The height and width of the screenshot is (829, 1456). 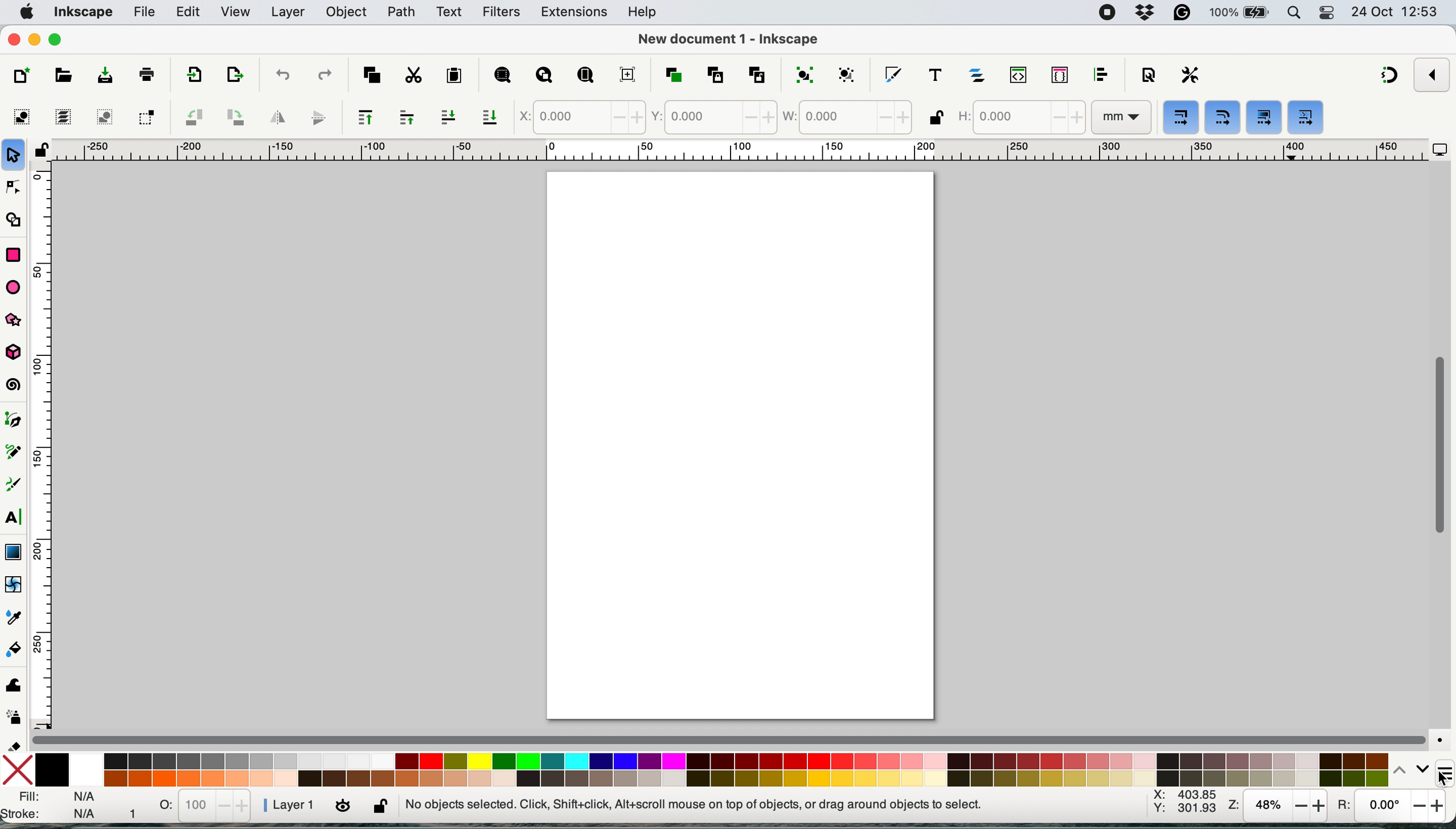 What do you see at coordinates (13, 689) in the screenshot?
I see `tweak tool` at bounding box center [13, 689].